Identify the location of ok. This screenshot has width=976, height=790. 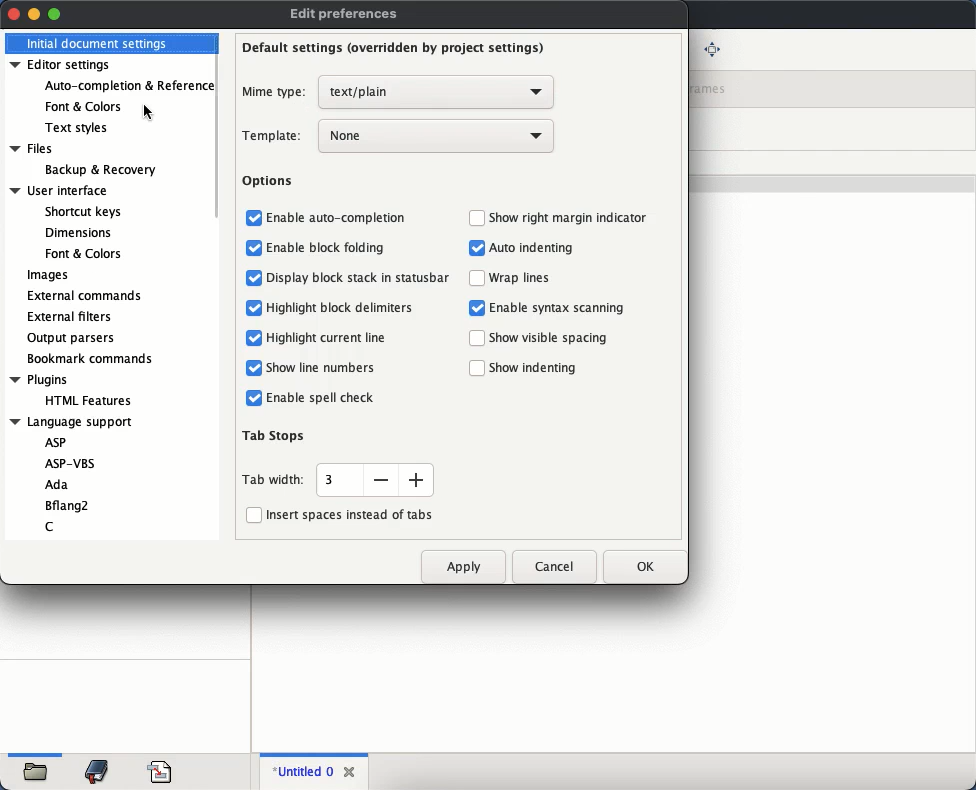
(644, 566).